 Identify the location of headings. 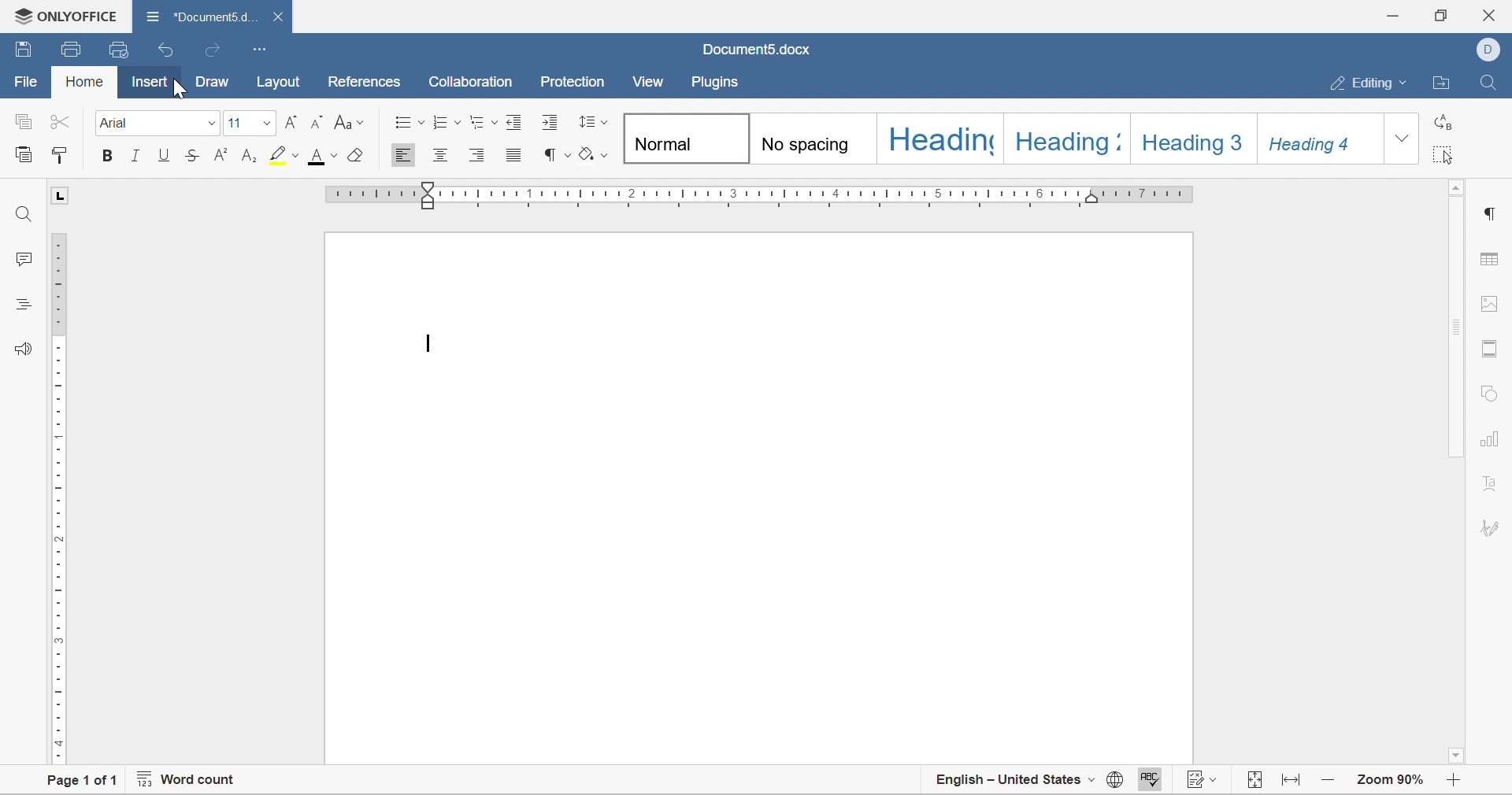
(24, 304).